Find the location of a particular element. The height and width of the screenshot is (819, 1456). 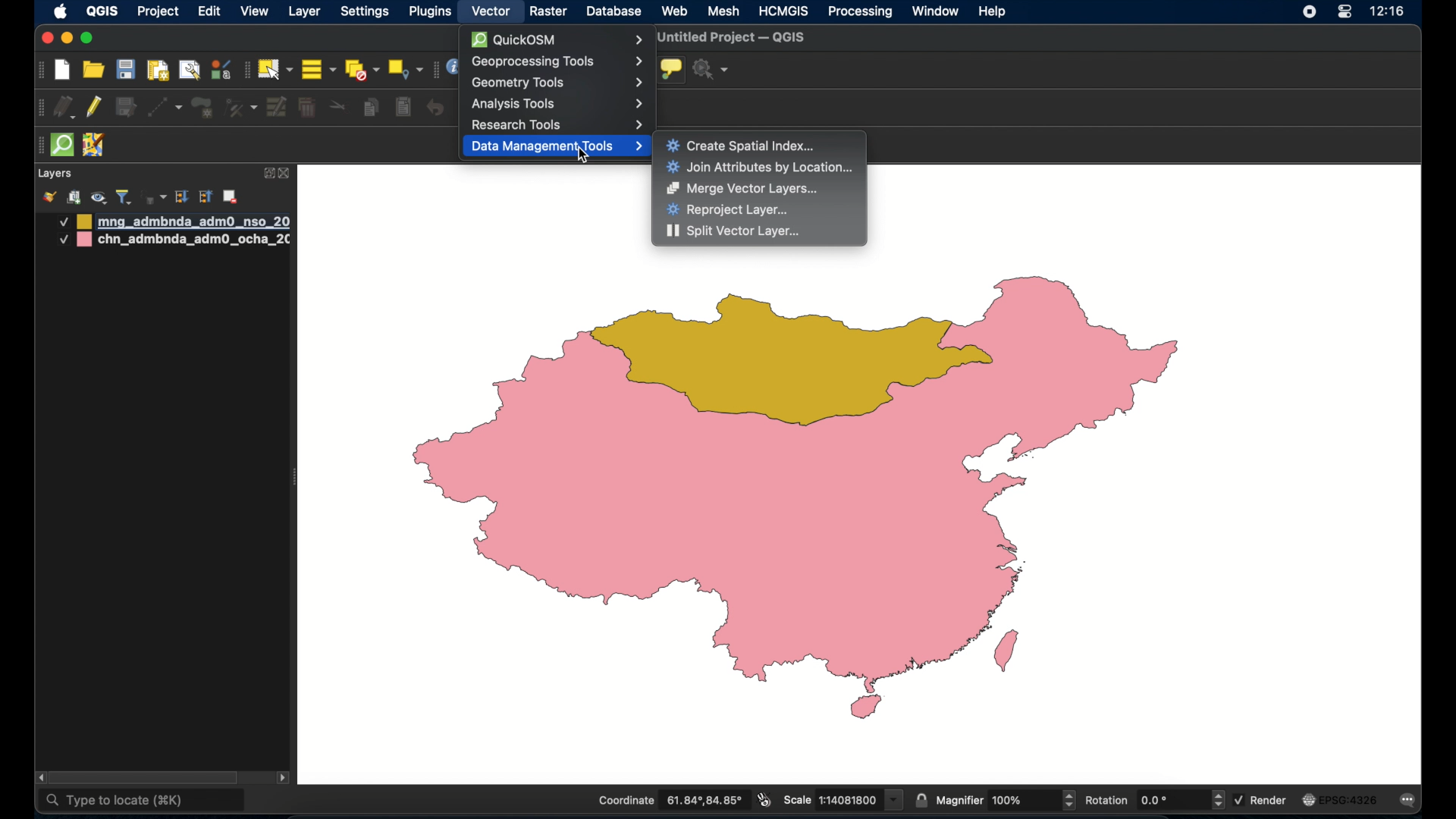

current edits is located at coordinates (66, 109).